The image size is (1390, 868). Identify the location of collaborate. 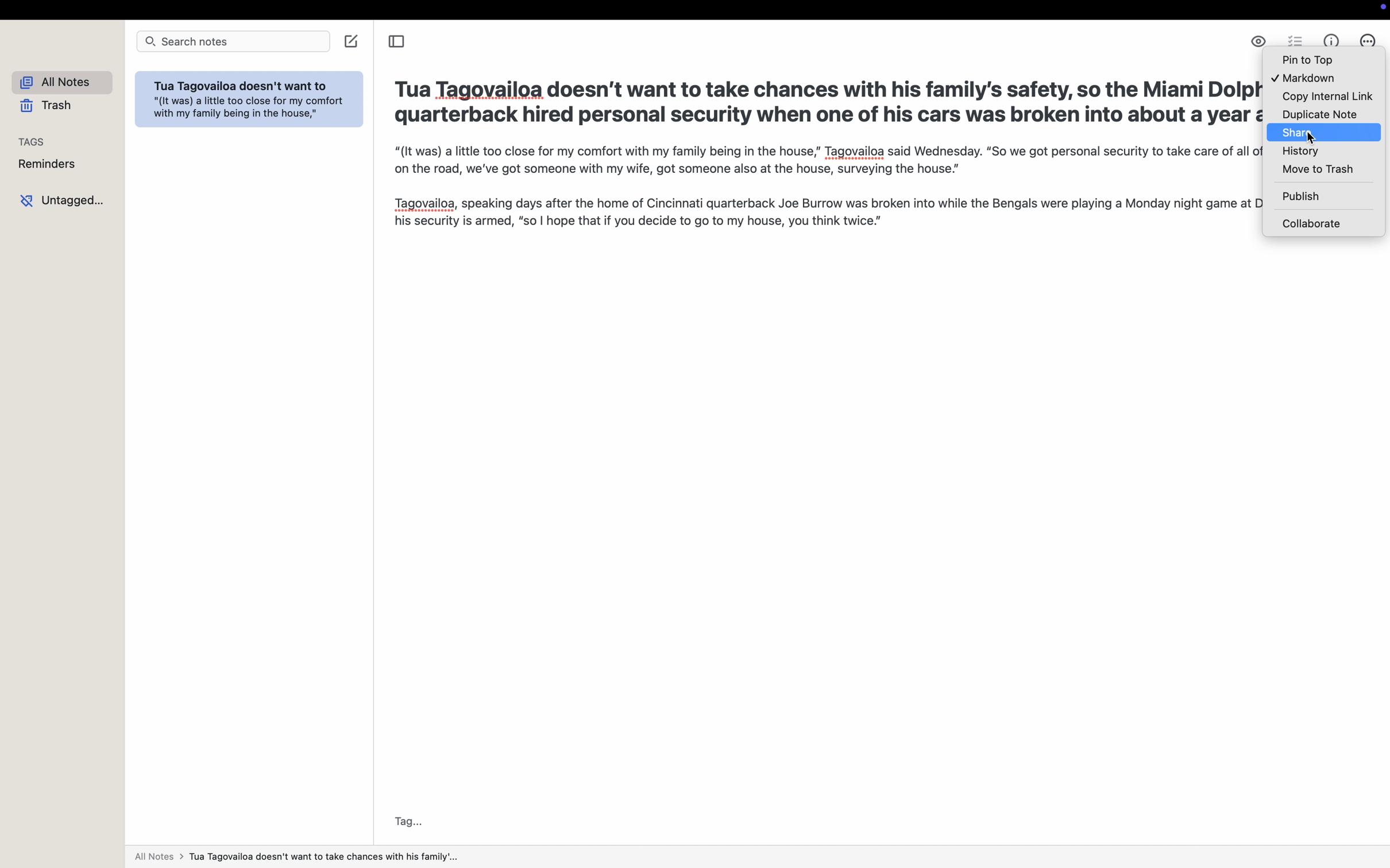
(1313, 223).